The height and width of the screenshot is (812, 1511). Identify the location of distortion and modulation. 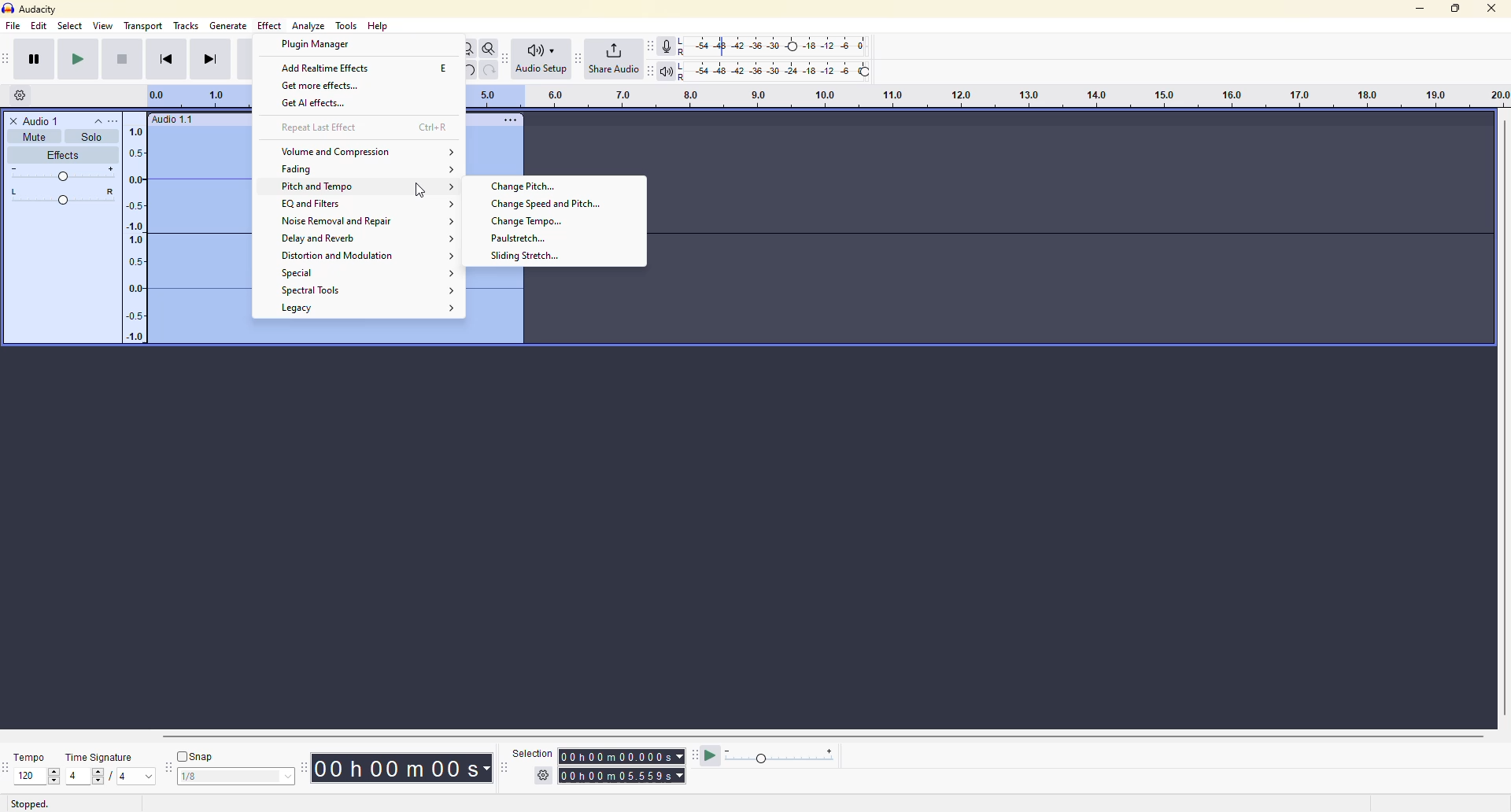
(341, 257).